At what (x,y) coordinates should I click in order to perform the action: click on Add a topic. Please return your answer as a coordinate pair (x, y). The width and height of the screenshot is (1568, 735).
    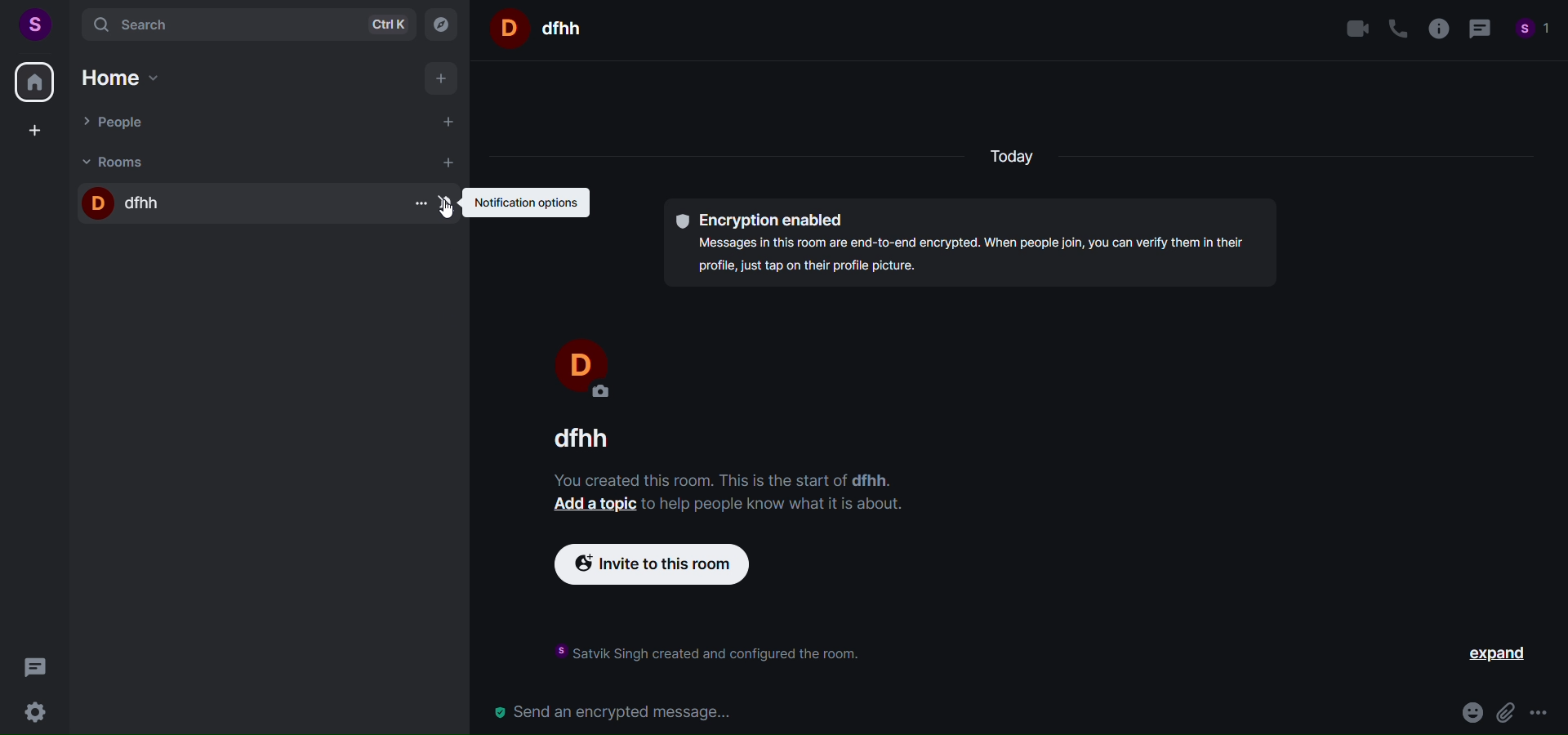
    Looking at the image, I should click on (590, 506).